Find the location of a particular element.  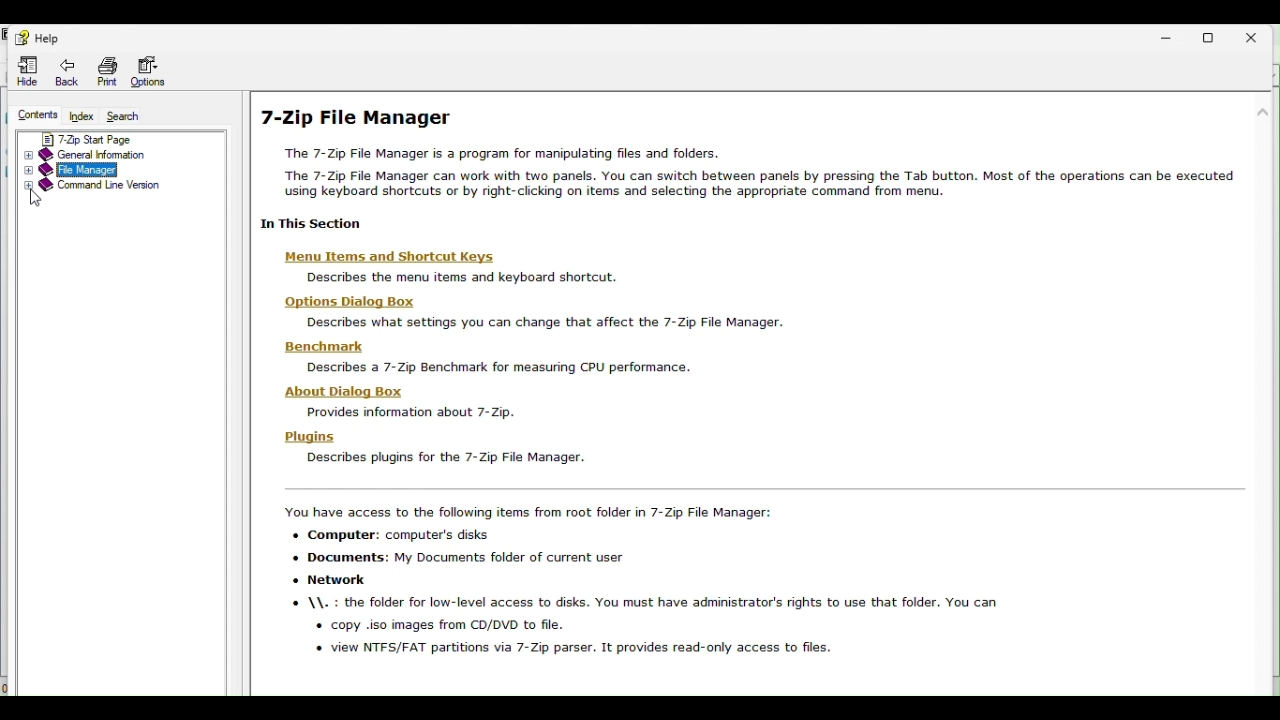

7-Zip File Manager
The 7-Zip File Manager is a program for manipulating files and folders.
The 7-2Zip File Manager can work with two panels. You can switch between panels by pressing the Tab button. Most of the operations can be executed
using keyboard shortcuts or by right-clicking on items and selecting the appropriate command from menu. is located at coordinates (747, 151).